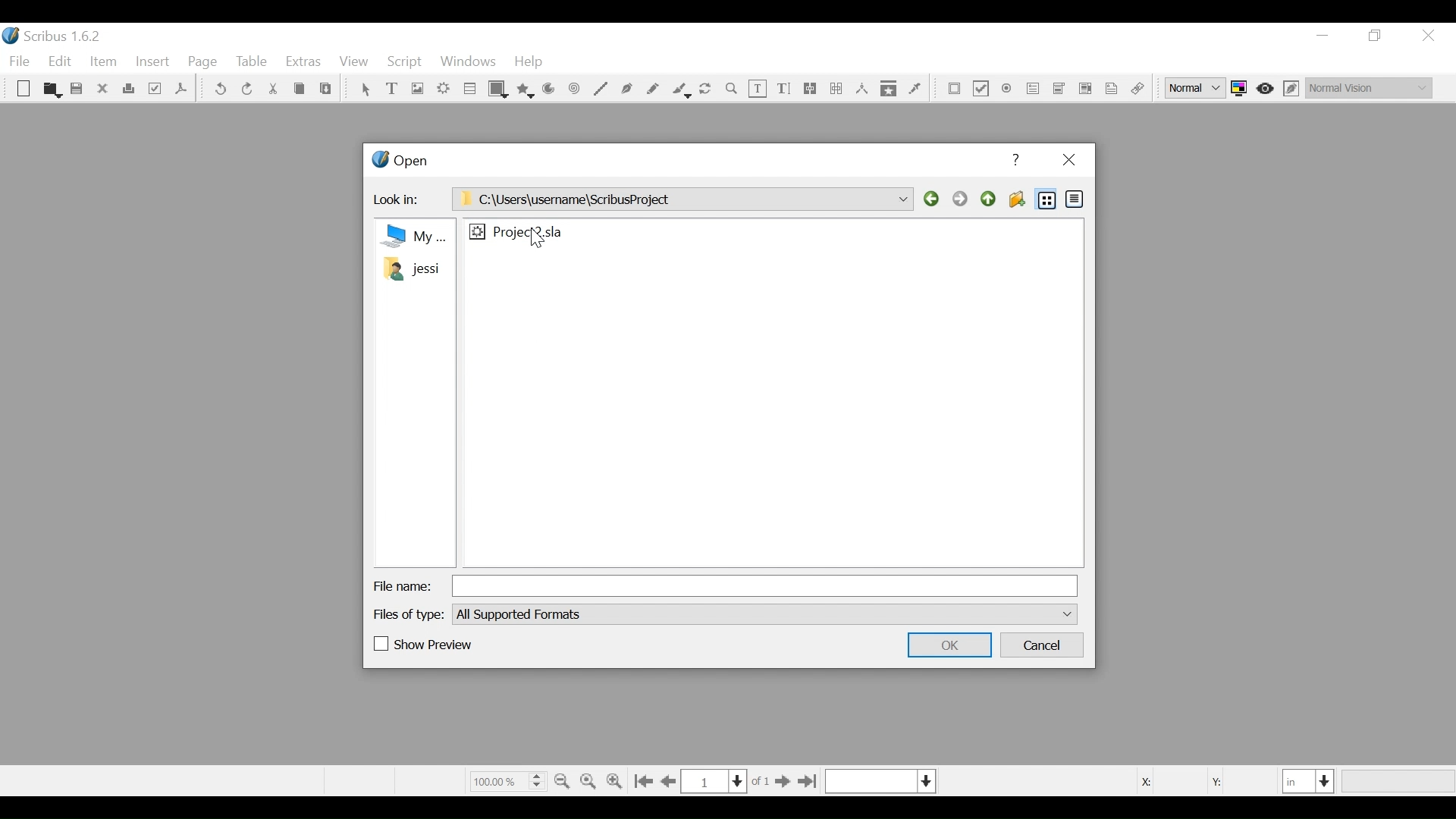 The height and width of the screenshot is (819, 1456). I want to click on Folder, so click(411, 268).